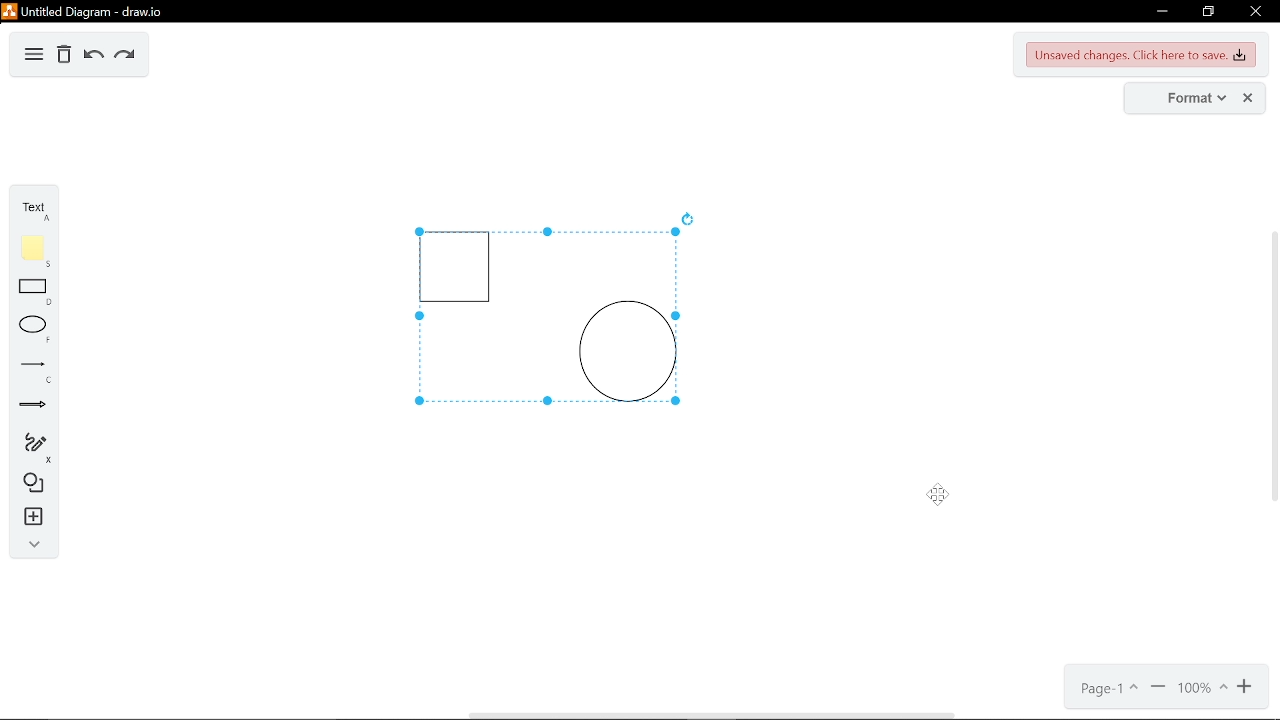  Describe the element at coordinates (30, 484) in the screenshot. I see `shapes` at that location.